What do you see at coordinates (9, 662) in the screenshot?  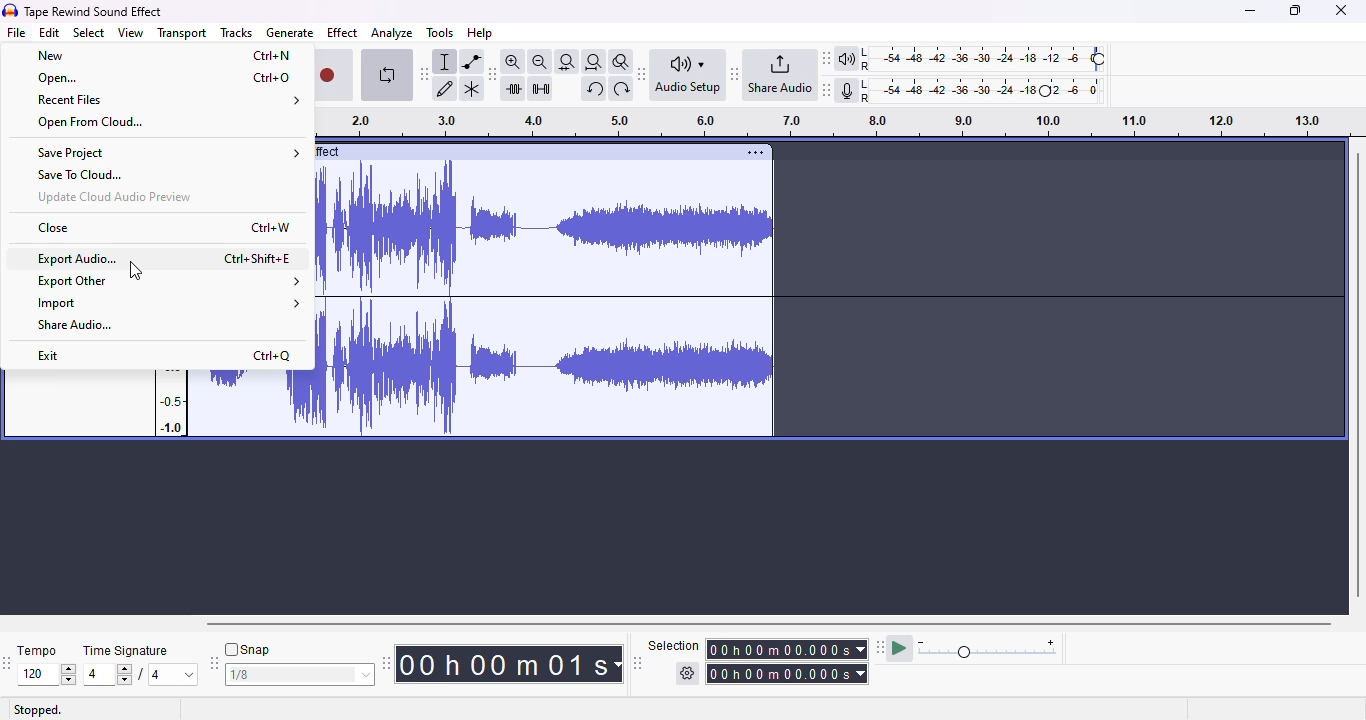 I see `audacity time signature toolbar` at bounding box center [9, 662].